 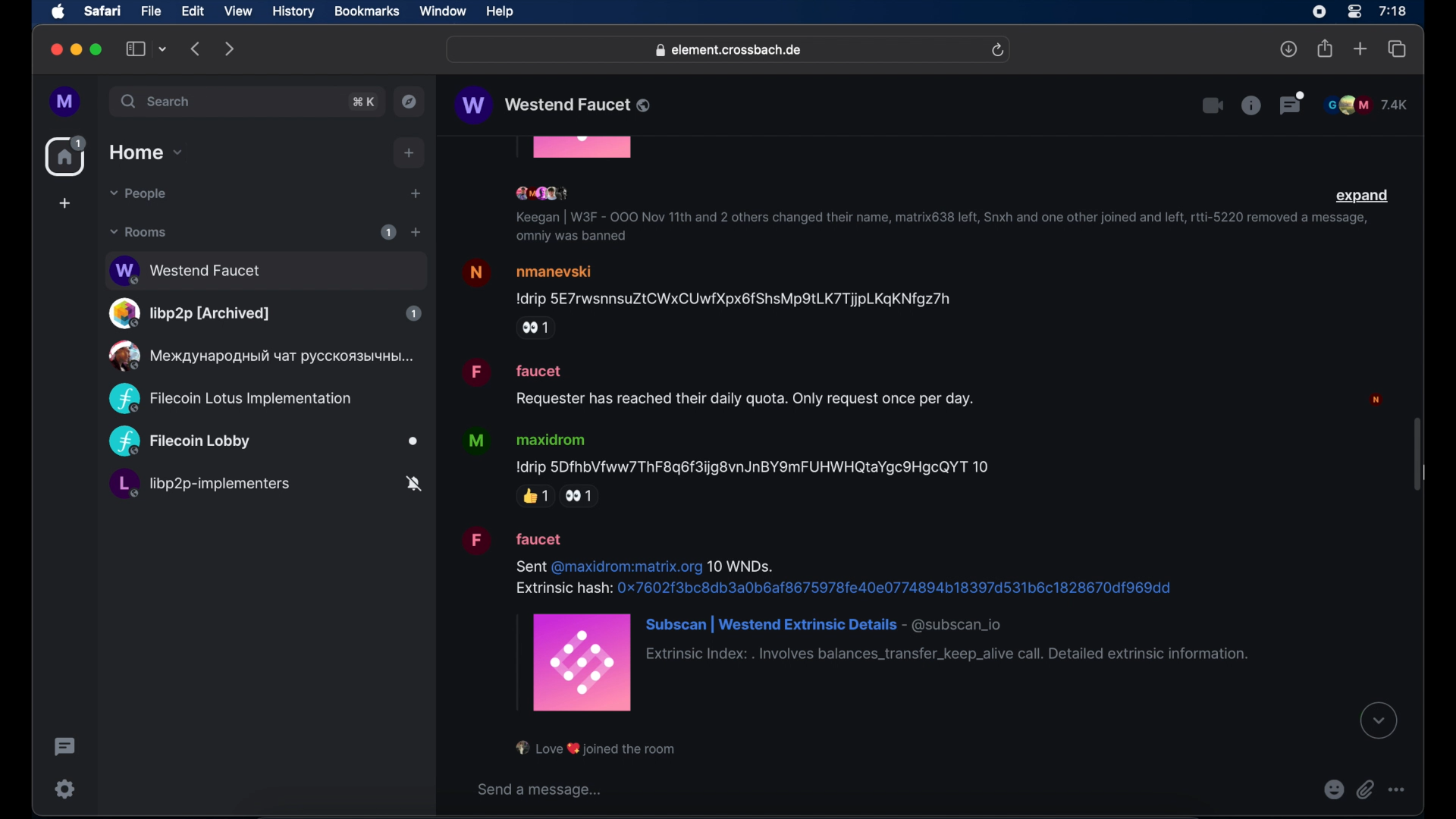 I want to click on scroll bar, so click(x=1417, y=456).